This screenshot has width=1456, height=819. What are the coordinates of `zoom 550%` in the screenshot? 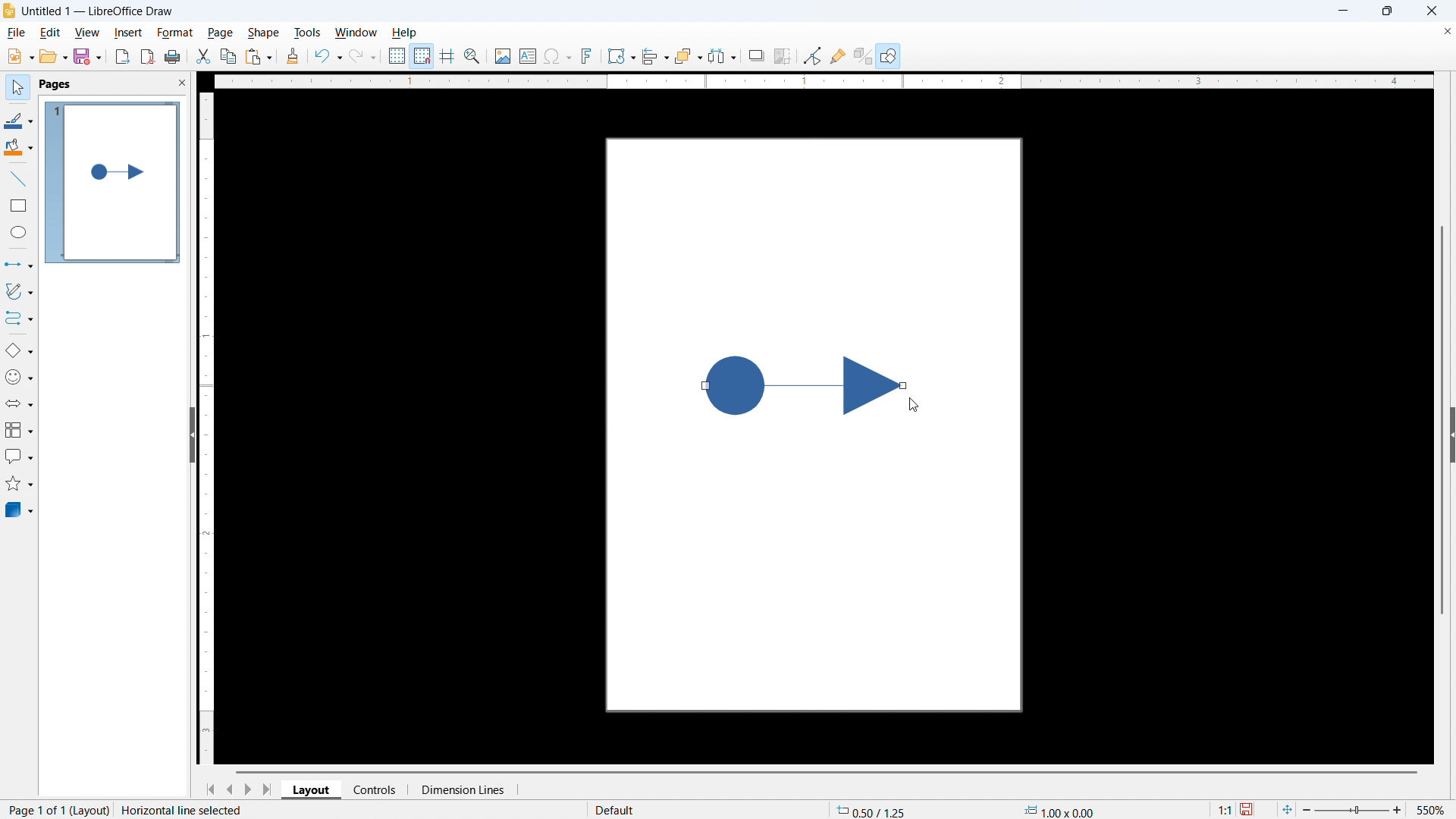 It's located at (1377, 808).